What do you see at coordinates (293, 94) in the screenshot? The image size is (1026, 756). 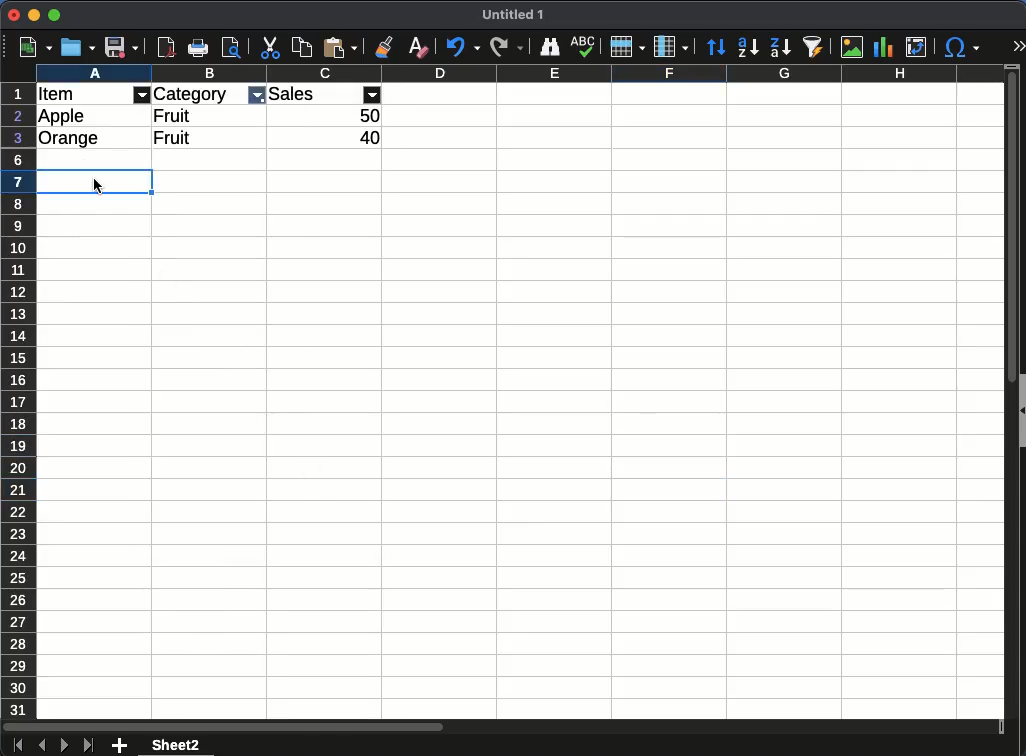 I see `Sales` at bounding box center [293, 94].